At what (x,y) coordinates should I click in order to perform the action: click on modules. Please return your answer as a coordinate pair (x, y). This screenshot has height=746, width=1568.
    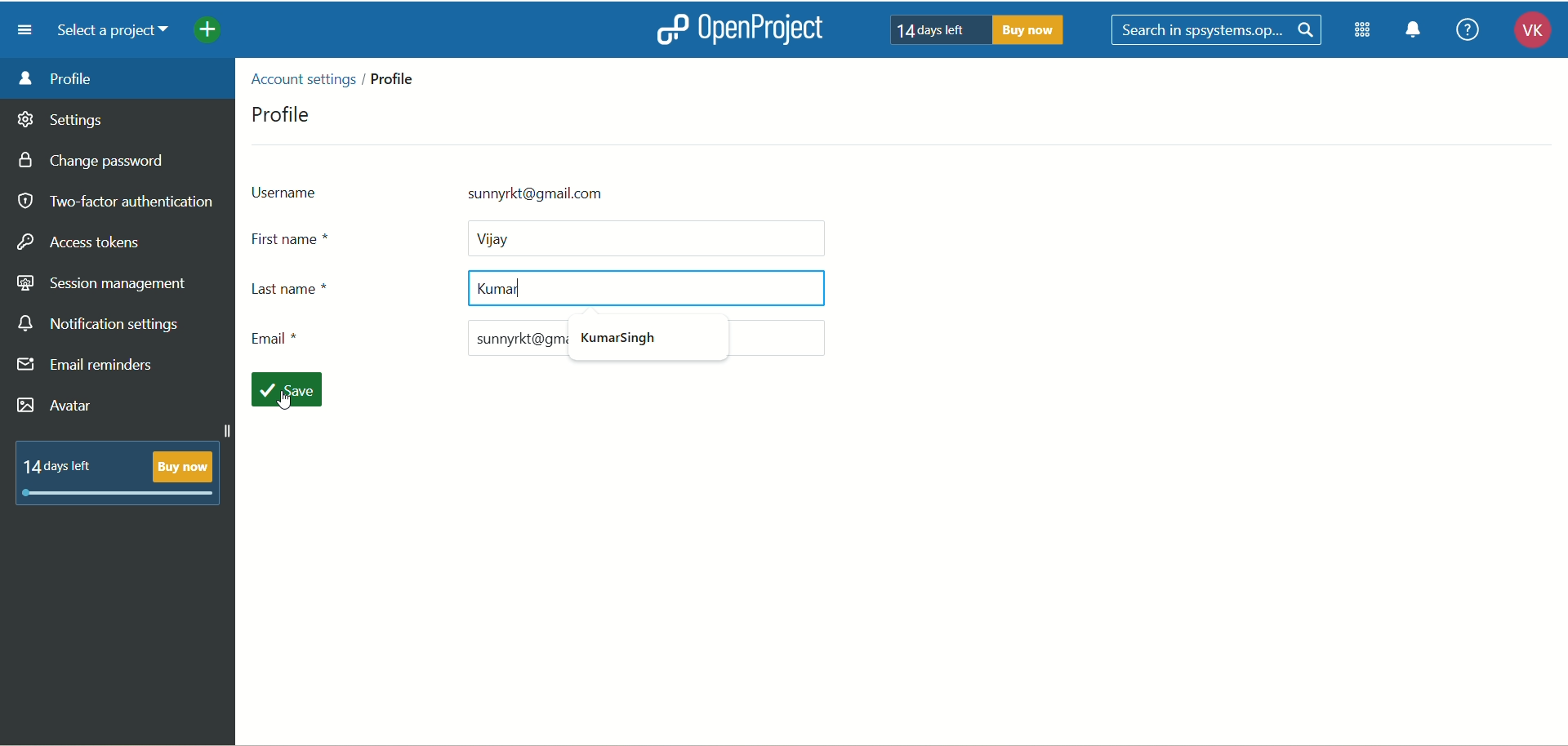
    Looking at the image, I should click on (1364, 33).